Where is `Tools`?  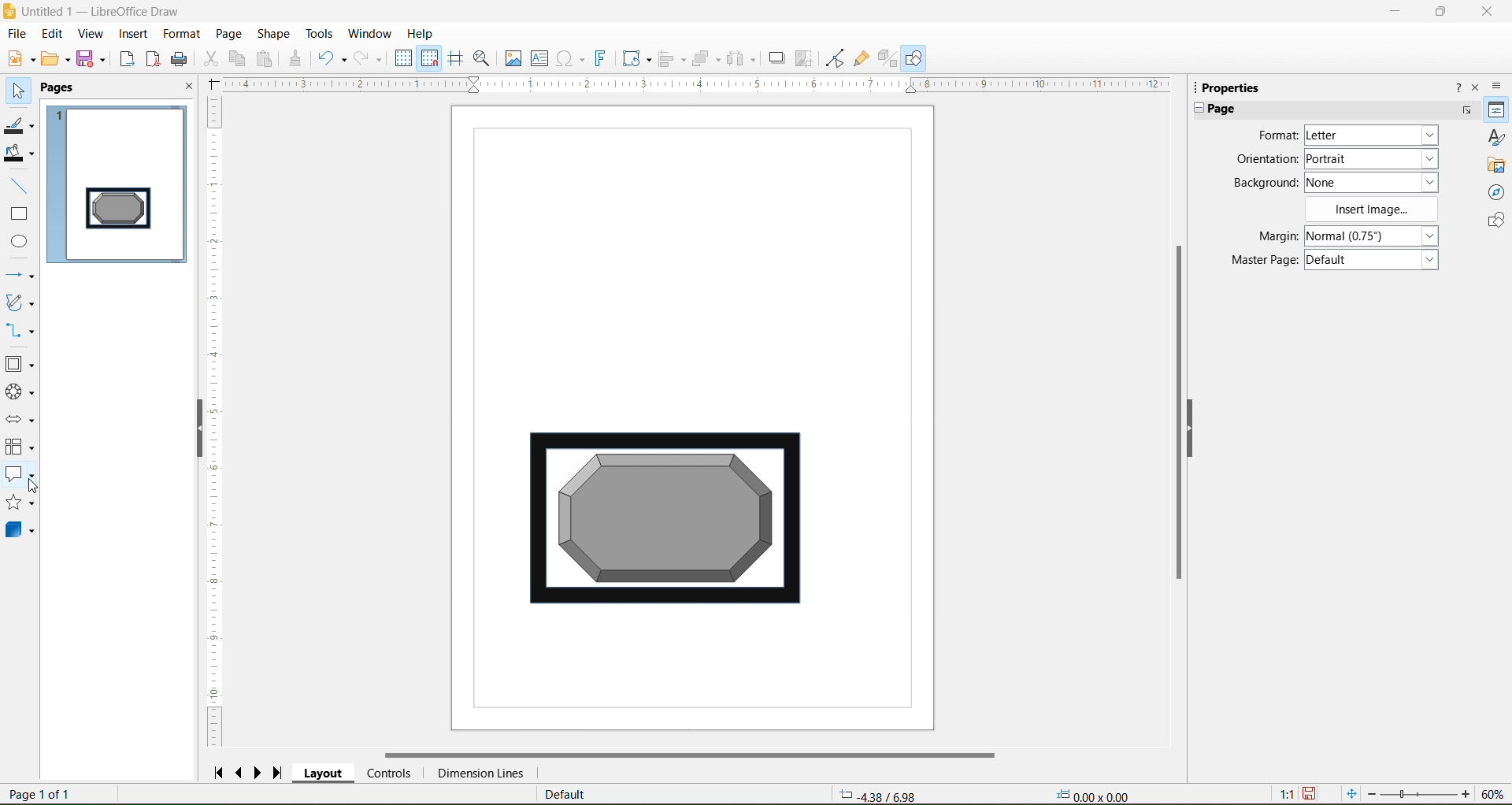
Tools is located at coordinates (314, 32).